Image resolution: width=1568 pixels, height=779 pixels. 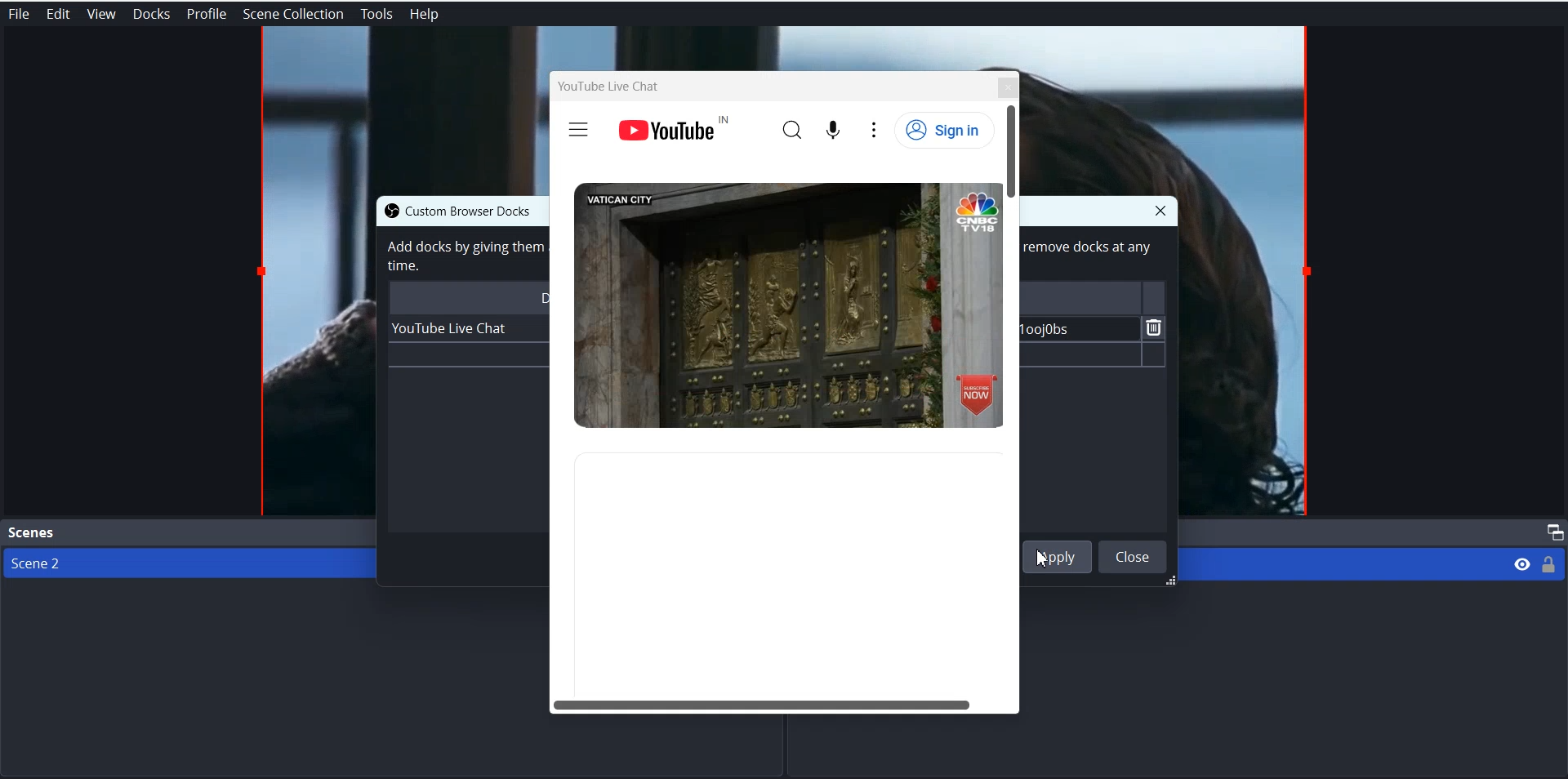 What do you see at coordinates (314, 355) in the screenshot?
I see `File Preview window` at bounding box center [314, 355].